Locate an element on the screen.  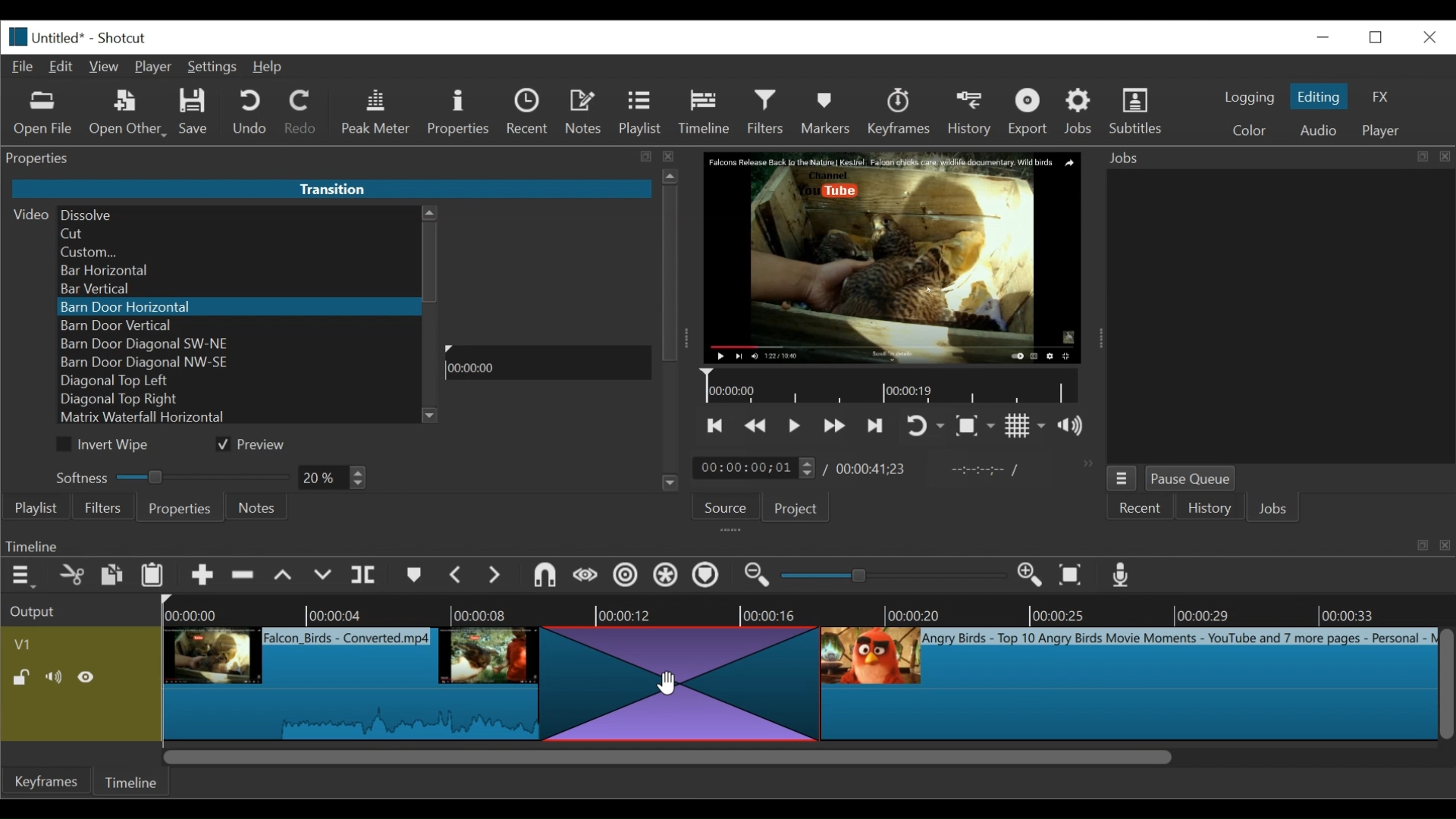
Cut is located at coordinates (237, 234).